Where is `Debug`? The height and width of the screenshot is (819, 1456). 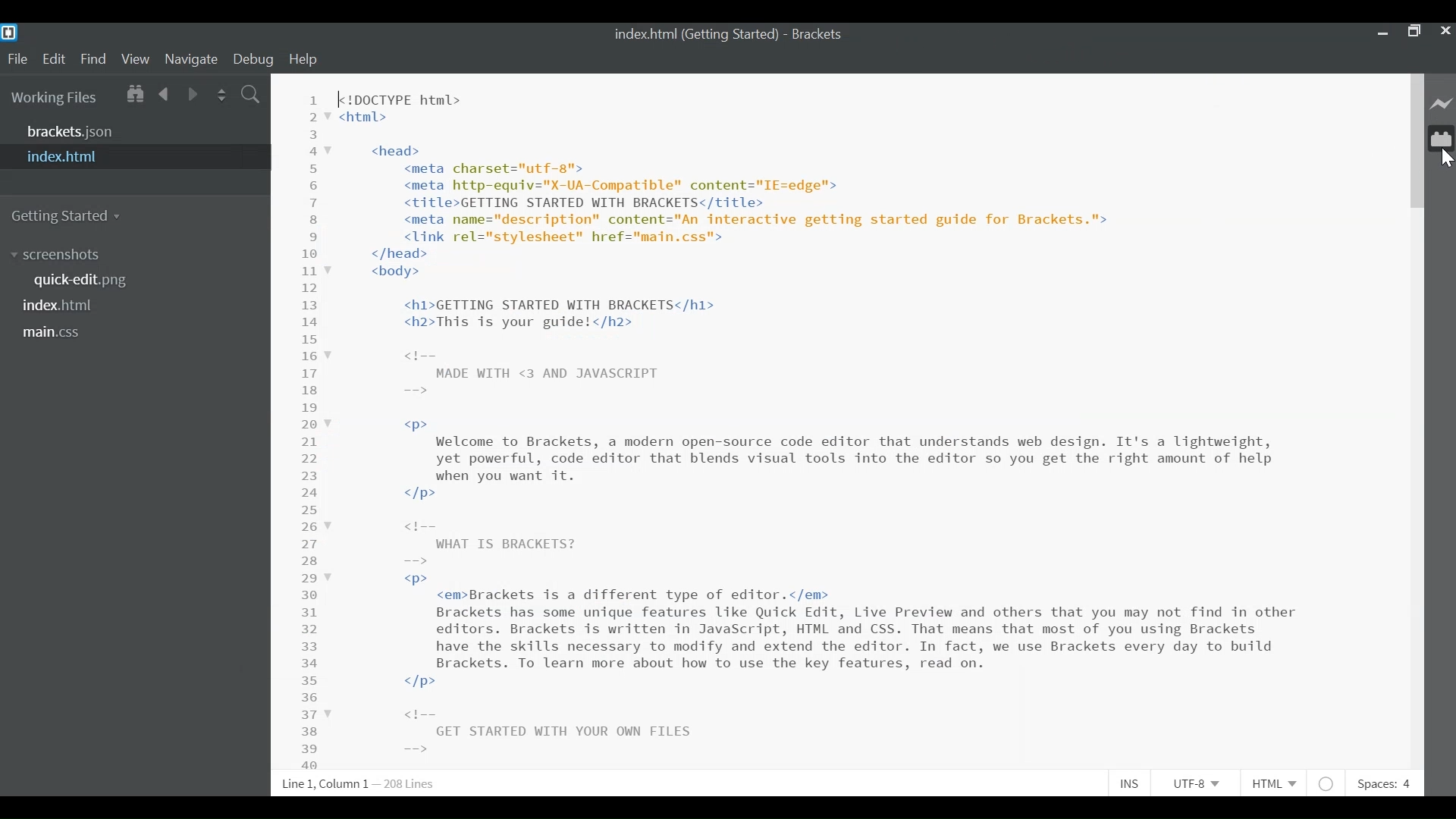 Debug is located at coordinates (256, 61).